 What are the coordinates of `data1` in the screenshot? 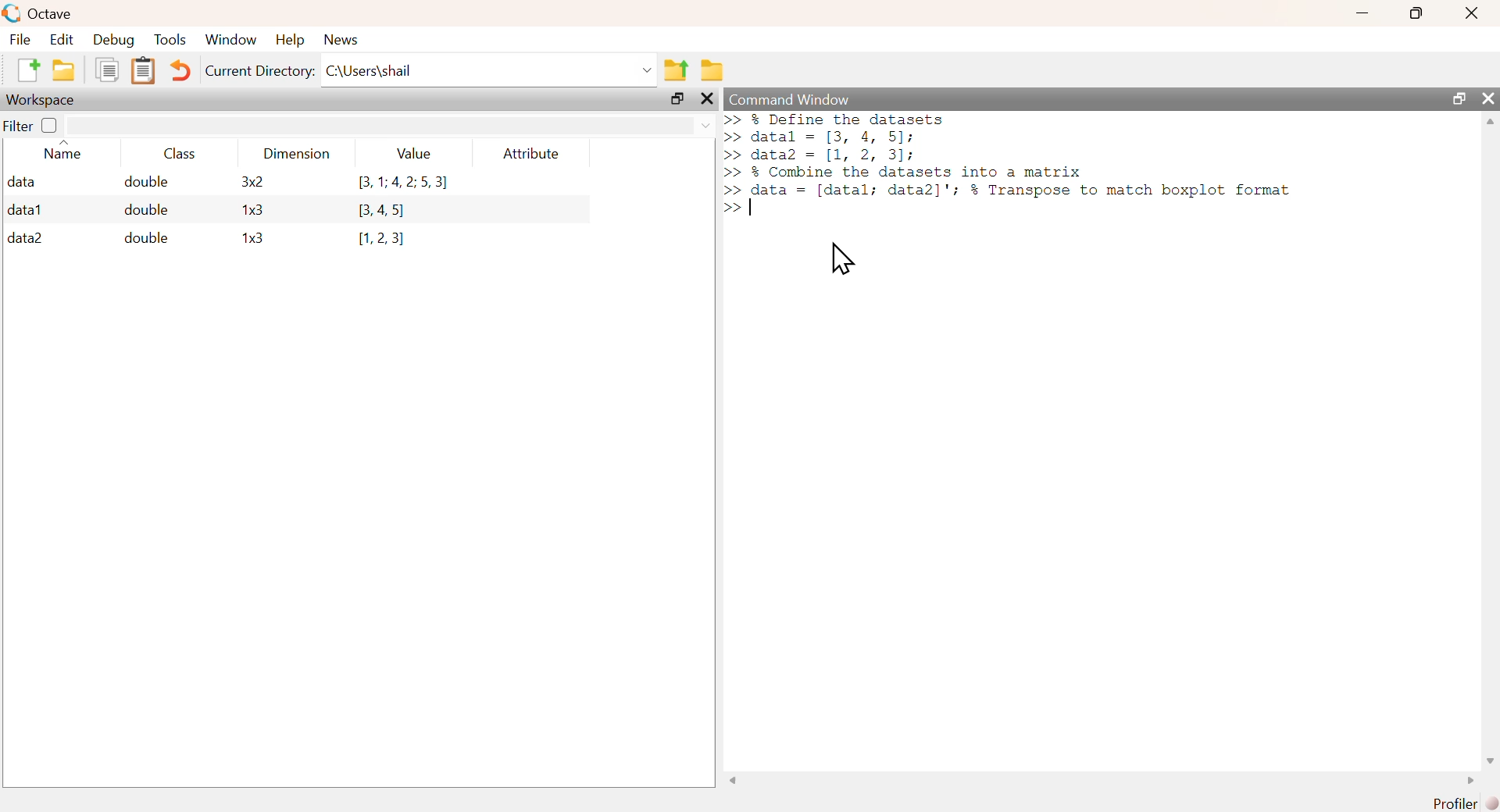 It's located at (26, 208).